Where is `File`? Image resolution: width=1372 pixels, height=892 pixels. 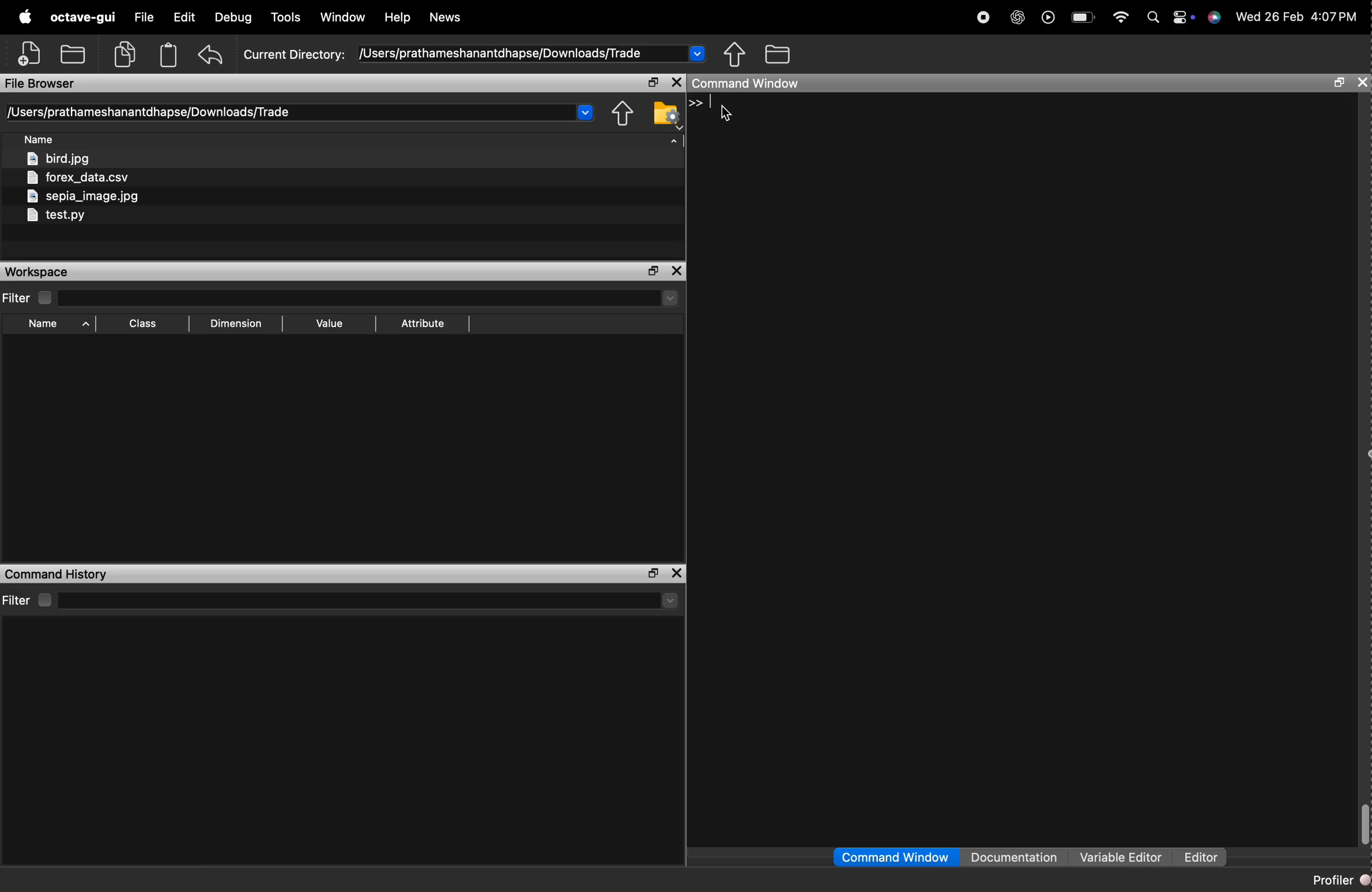
File is located at coordinates (145, 18).